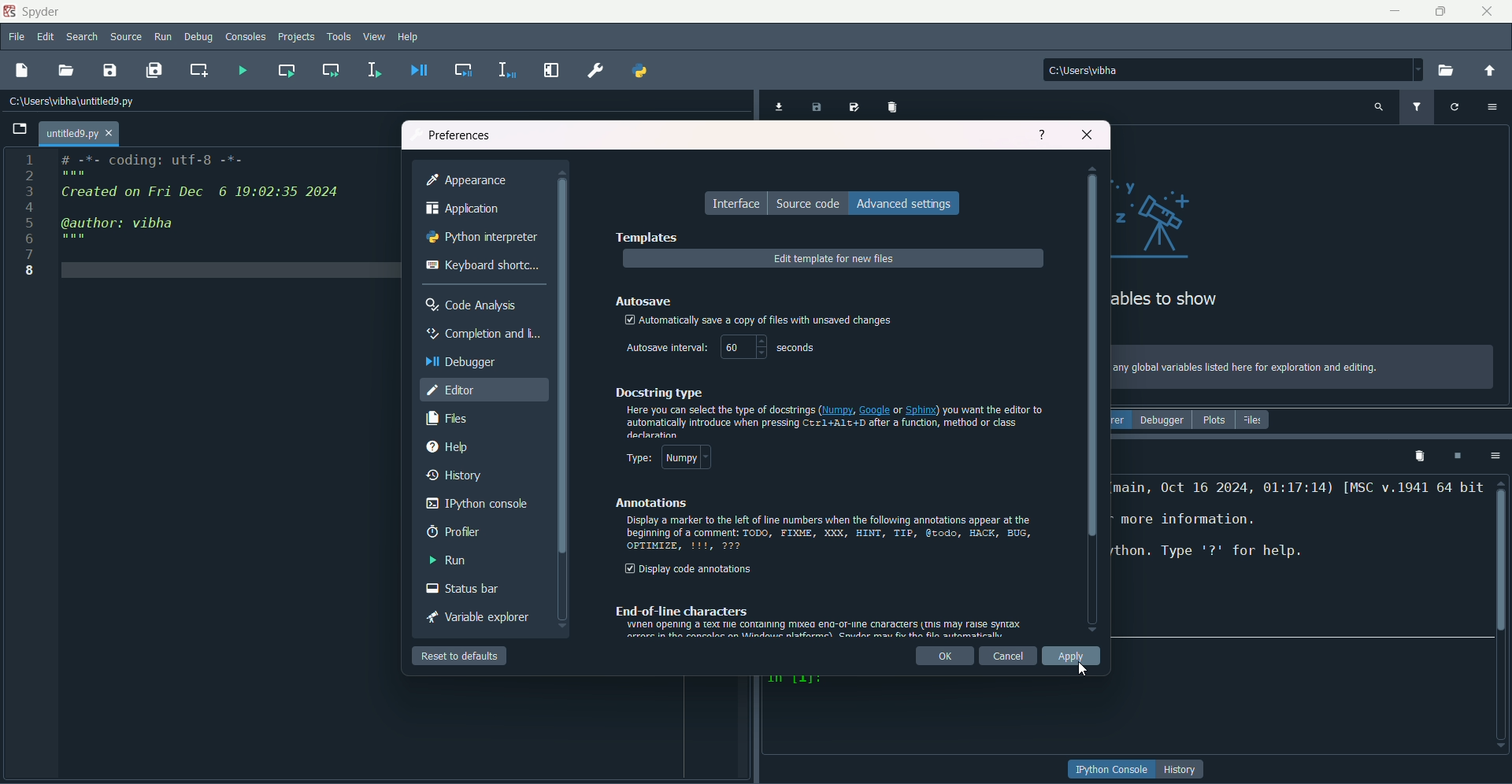 The width and height of the screenshot is (1512, 784). Describe the element at coordinates (1379, 106) in the screenshot. I see `search variable` at that location.